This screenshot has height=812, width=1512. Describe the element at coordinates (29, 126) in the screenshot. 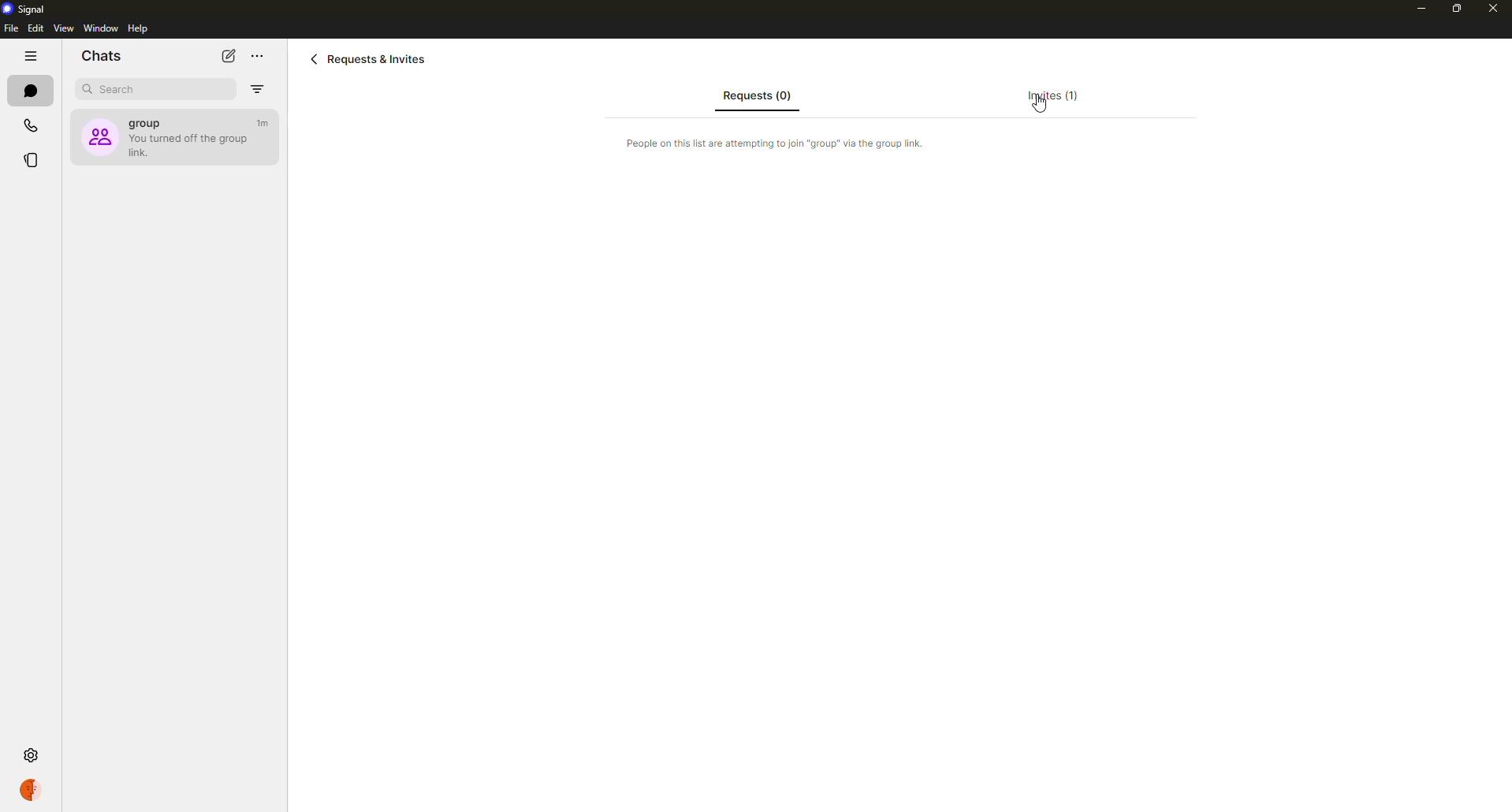

I see `calls` at that location.